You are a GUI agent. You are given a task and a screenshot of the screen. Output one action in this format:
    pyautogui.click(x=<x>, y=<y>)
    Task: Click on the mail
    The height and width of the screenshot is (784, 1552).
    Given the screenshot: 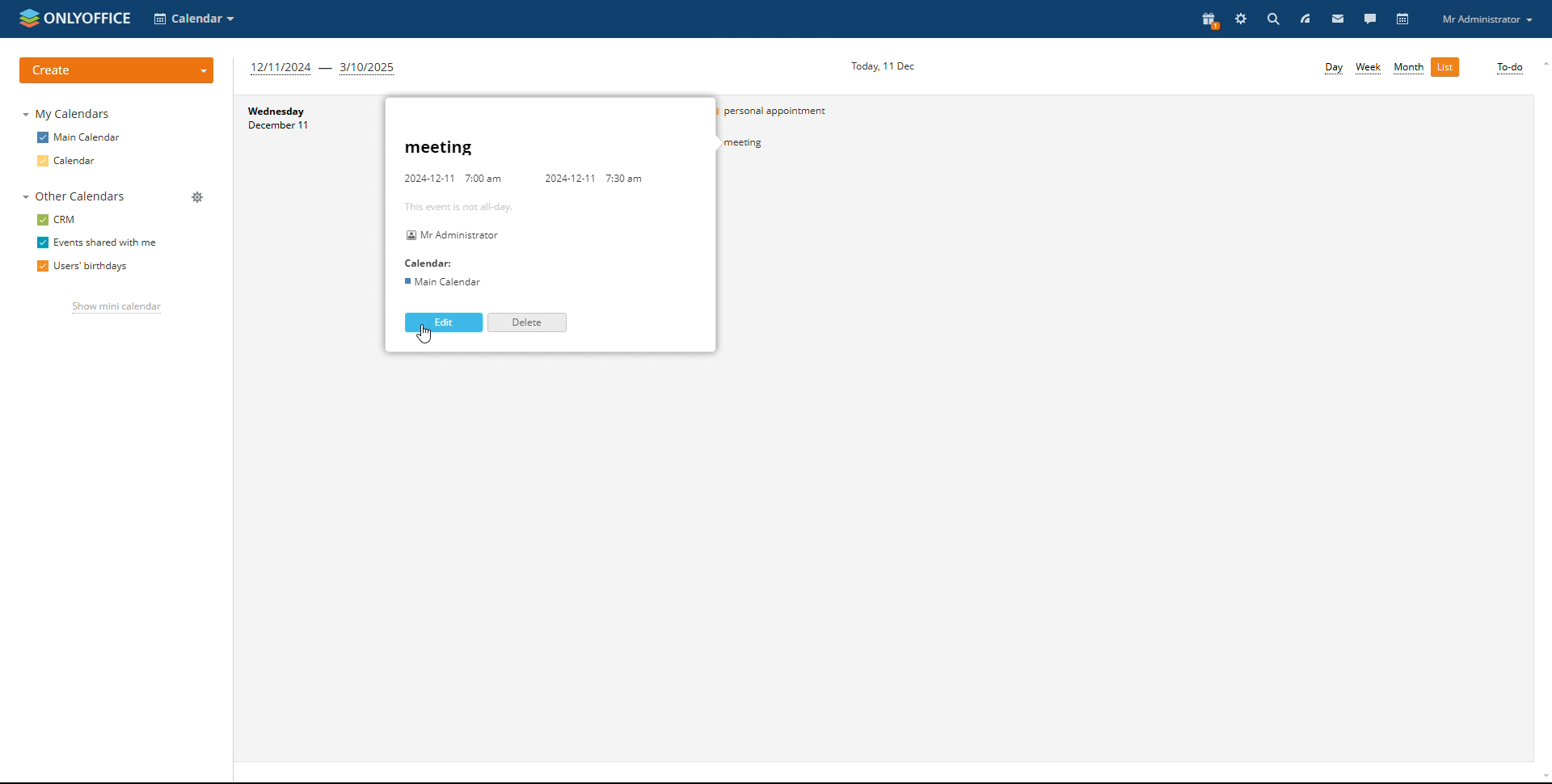 What is the action you would take?
    pyautogui.click(x=1339, y=18)
    